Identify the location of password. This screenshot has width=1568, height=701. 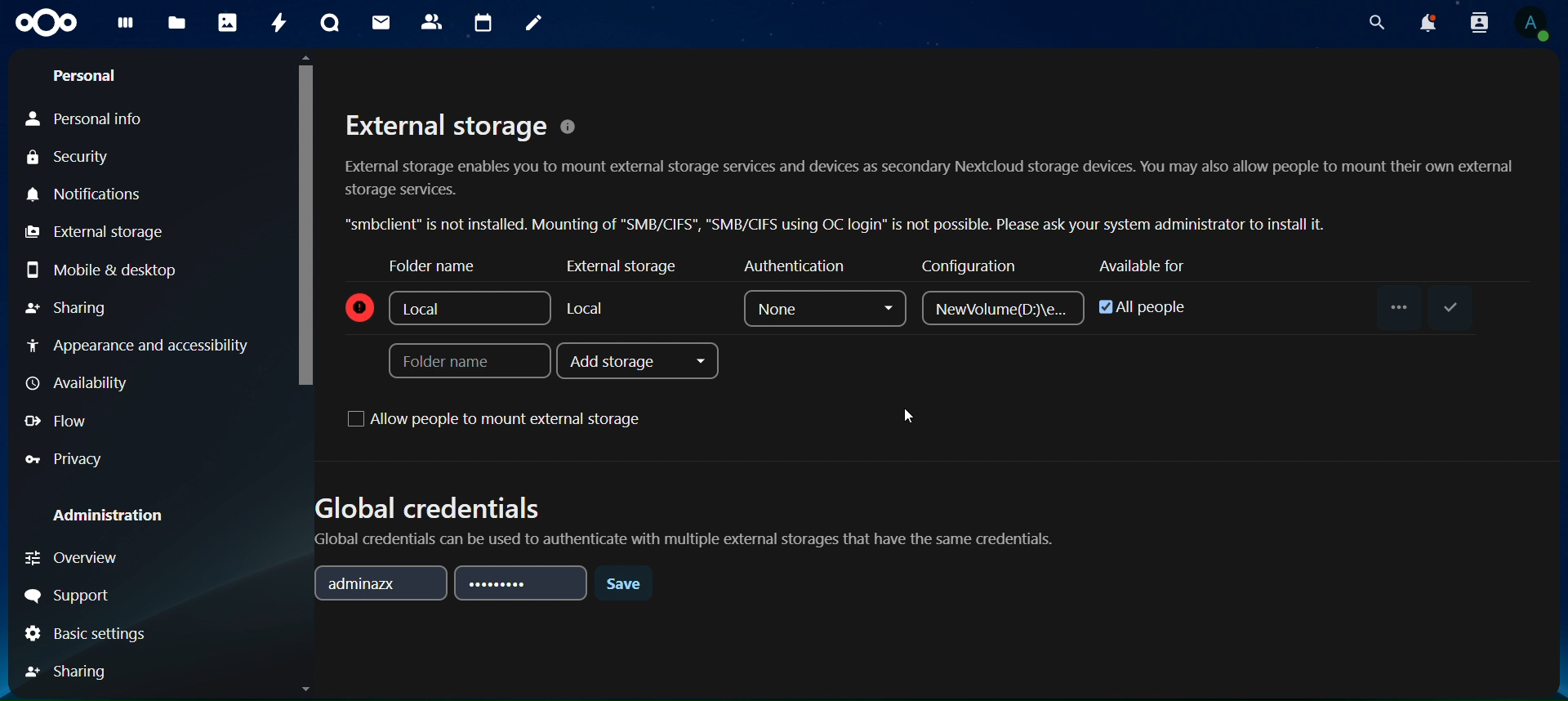
(521, 585).